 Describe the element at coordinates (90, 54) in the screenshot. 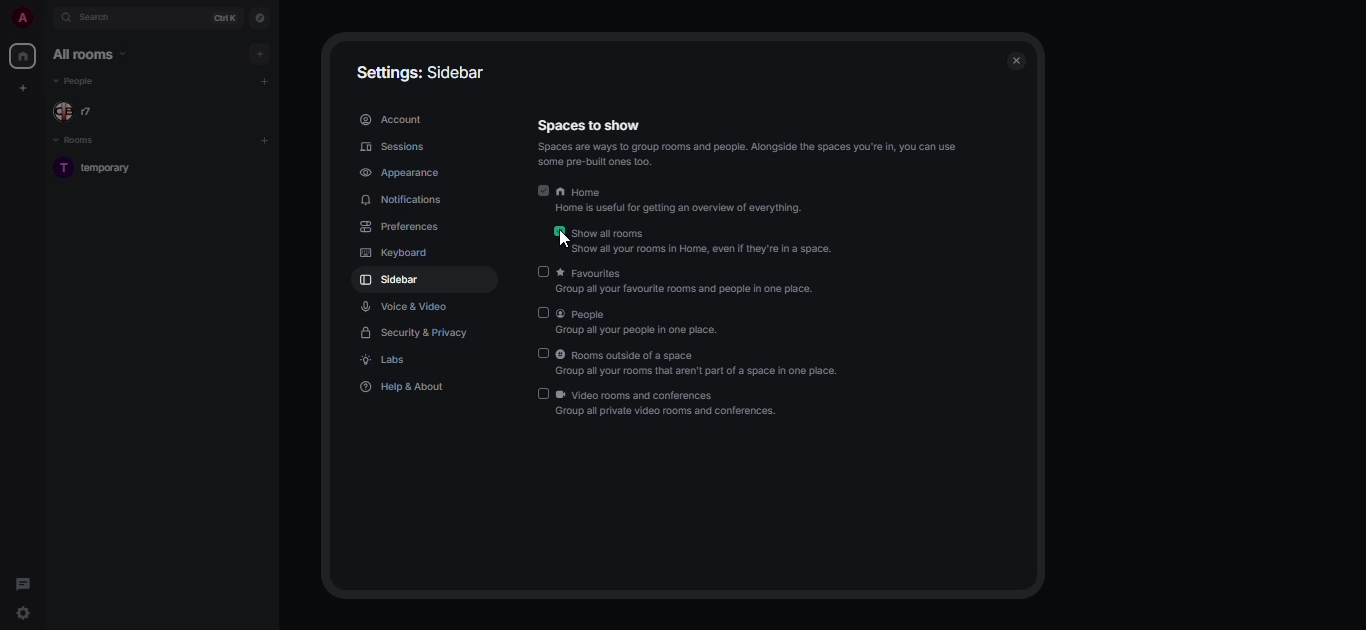

I see `all rooms` at that location.